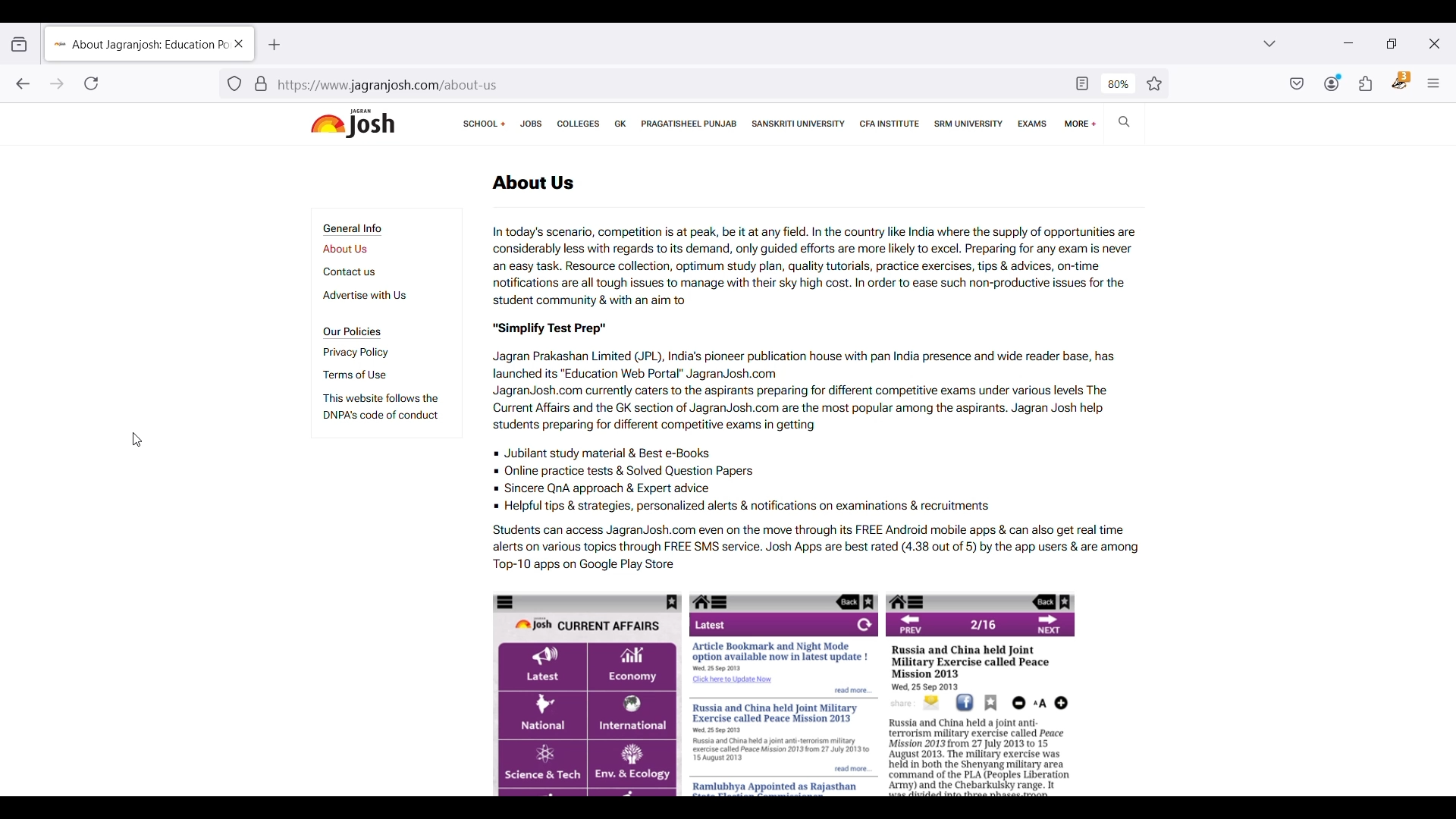 The height and width of the screenshot is (819, 1456). I want to click on Jubilant study material & Best e-Books

Online practice tests & Solved Question Papers

Sincere QnA approach & Expert advice

Helpful tips & strategies, personalized alerts & notifications on examinations & recruitments, so click(744, 478).